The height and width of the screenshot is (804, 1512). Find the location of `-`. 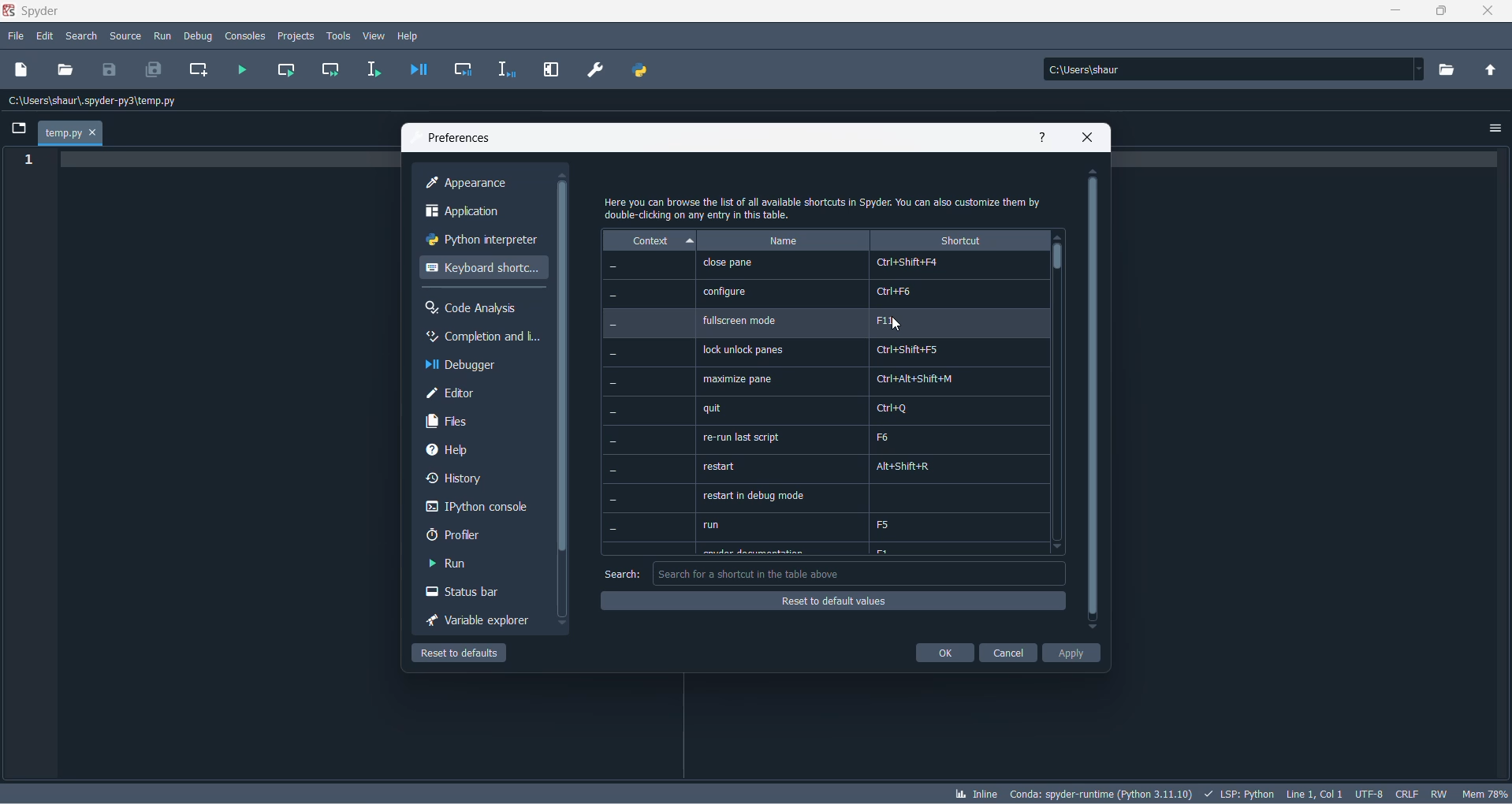

- is located at coordinates (613, 266).